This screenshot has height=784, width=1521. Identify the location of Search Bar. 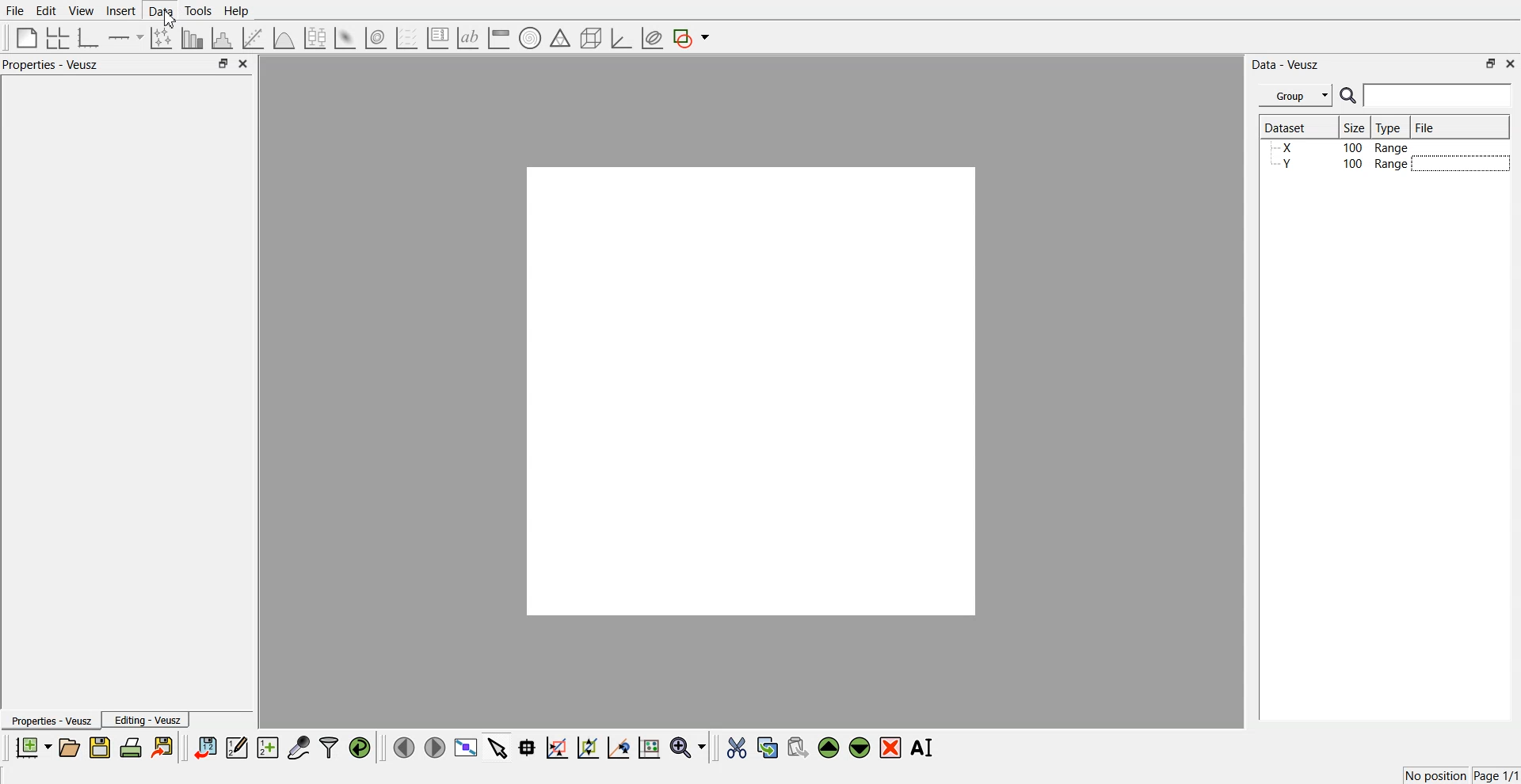
(1427, 95).